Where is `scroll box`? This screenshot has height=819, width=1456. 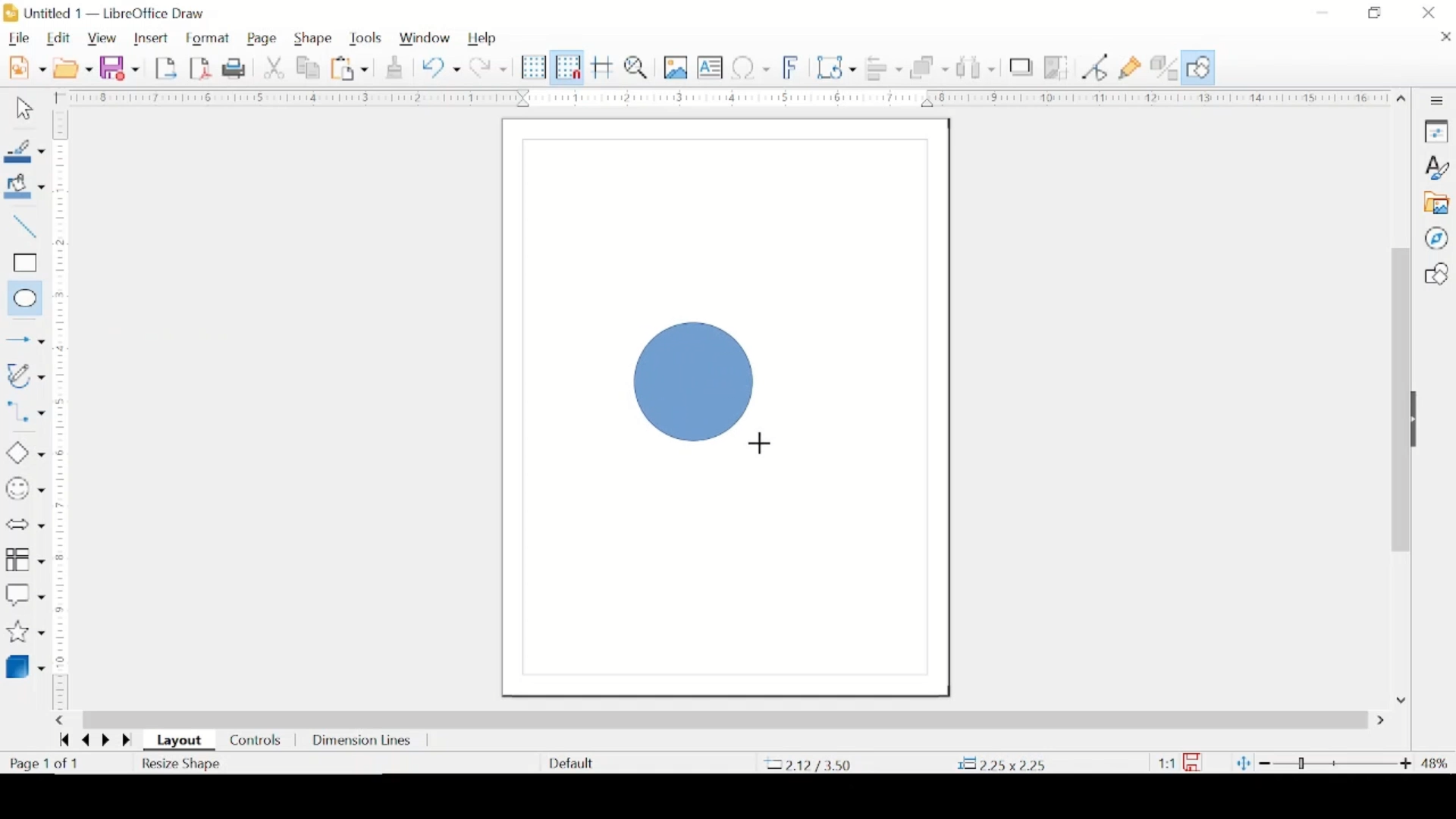 scroll box is located at coordinates (726, 719).